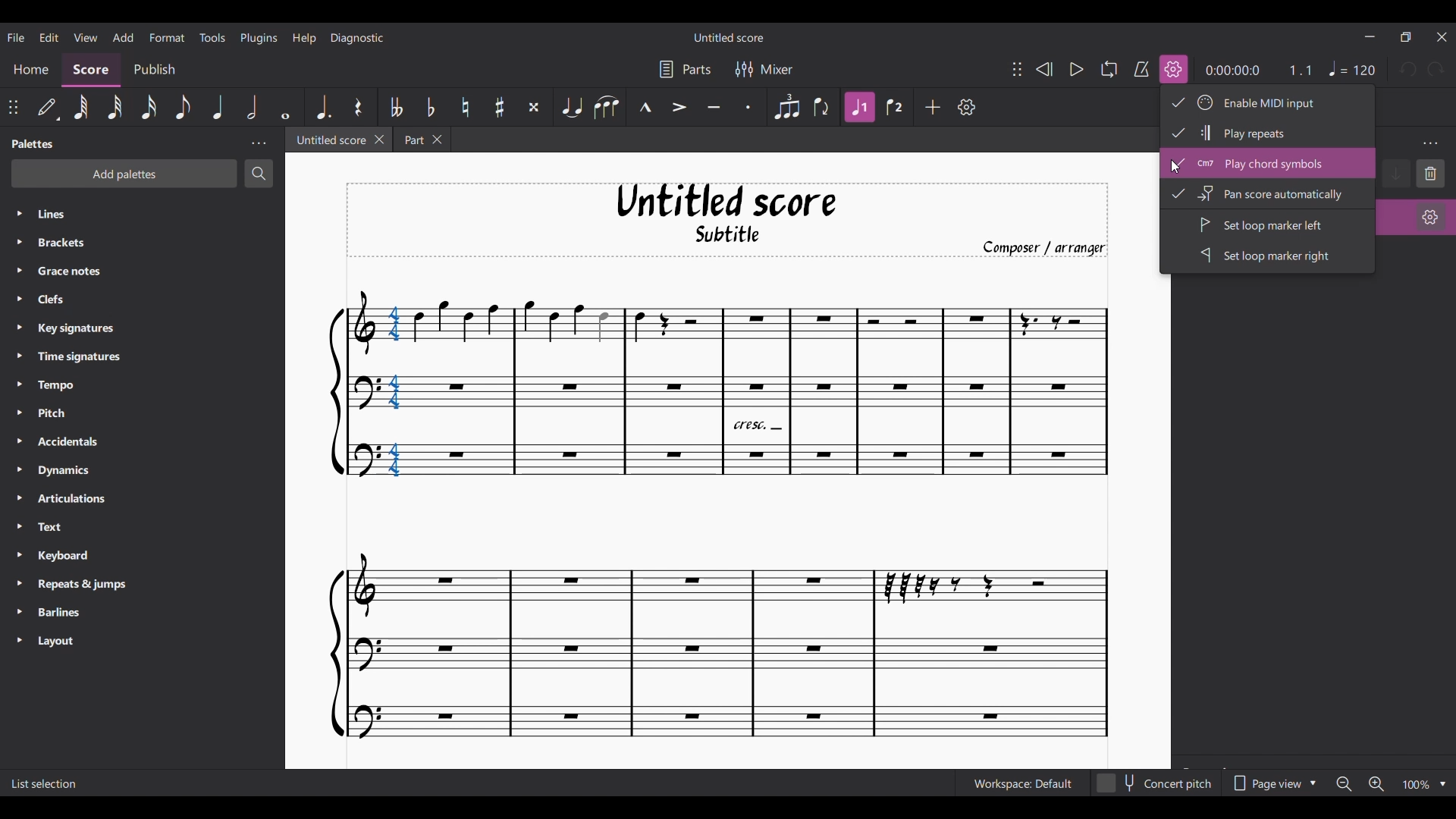 This screenshot has width=1456, height=819. I want to click on Quarter note, so click(218, 107).